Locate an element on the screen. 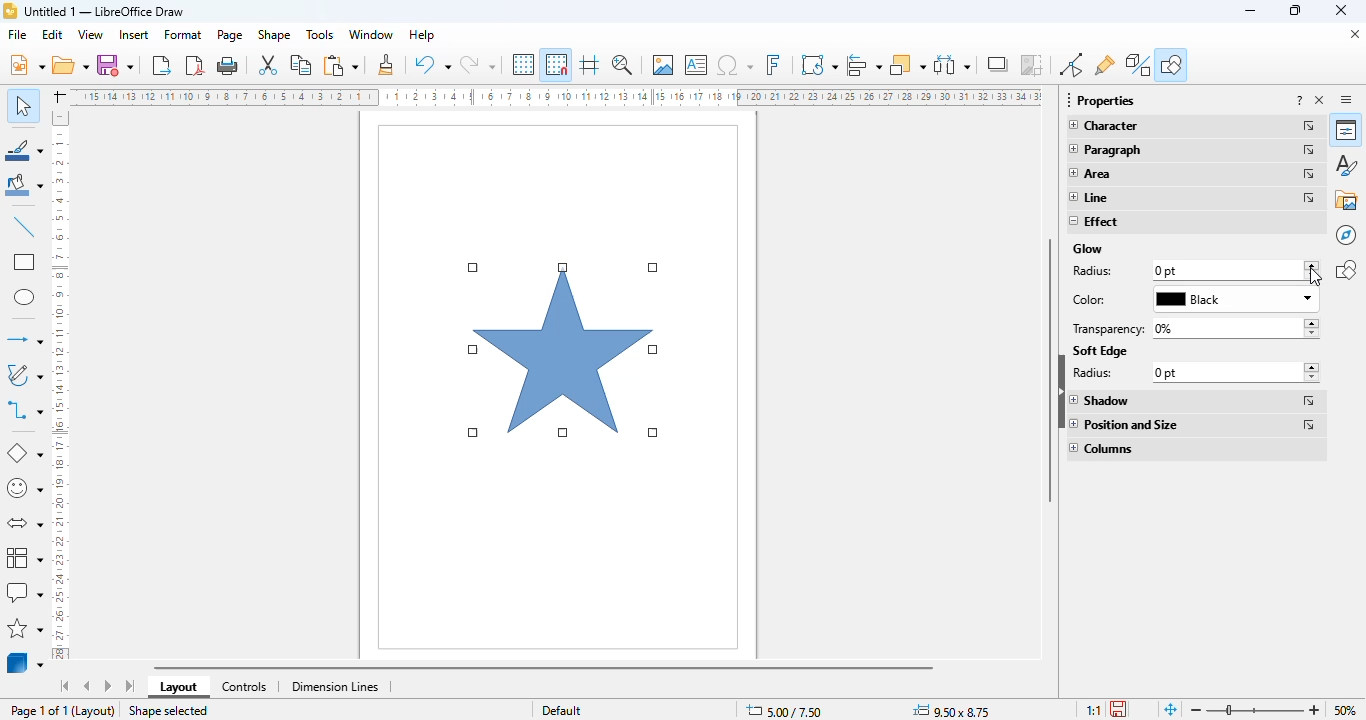 The width and height of the screenshot is (1366, 720). copy is located at coordinates (302, 65).